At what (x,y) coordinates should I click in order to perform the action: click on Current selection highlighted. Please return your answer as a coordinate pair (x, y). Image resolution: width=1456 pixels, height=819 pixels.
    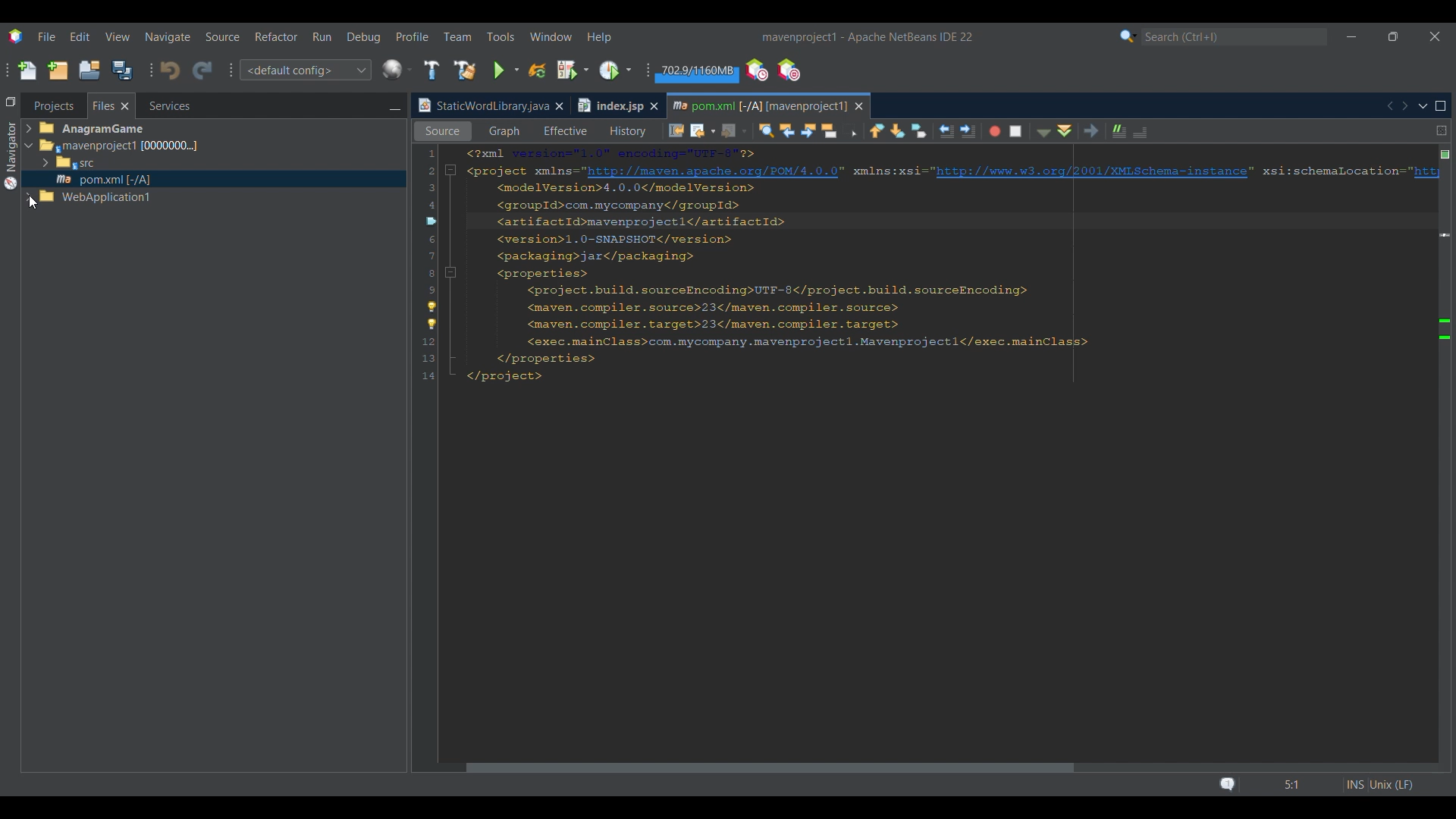
    Looking at the image, I should click on (111, 105).